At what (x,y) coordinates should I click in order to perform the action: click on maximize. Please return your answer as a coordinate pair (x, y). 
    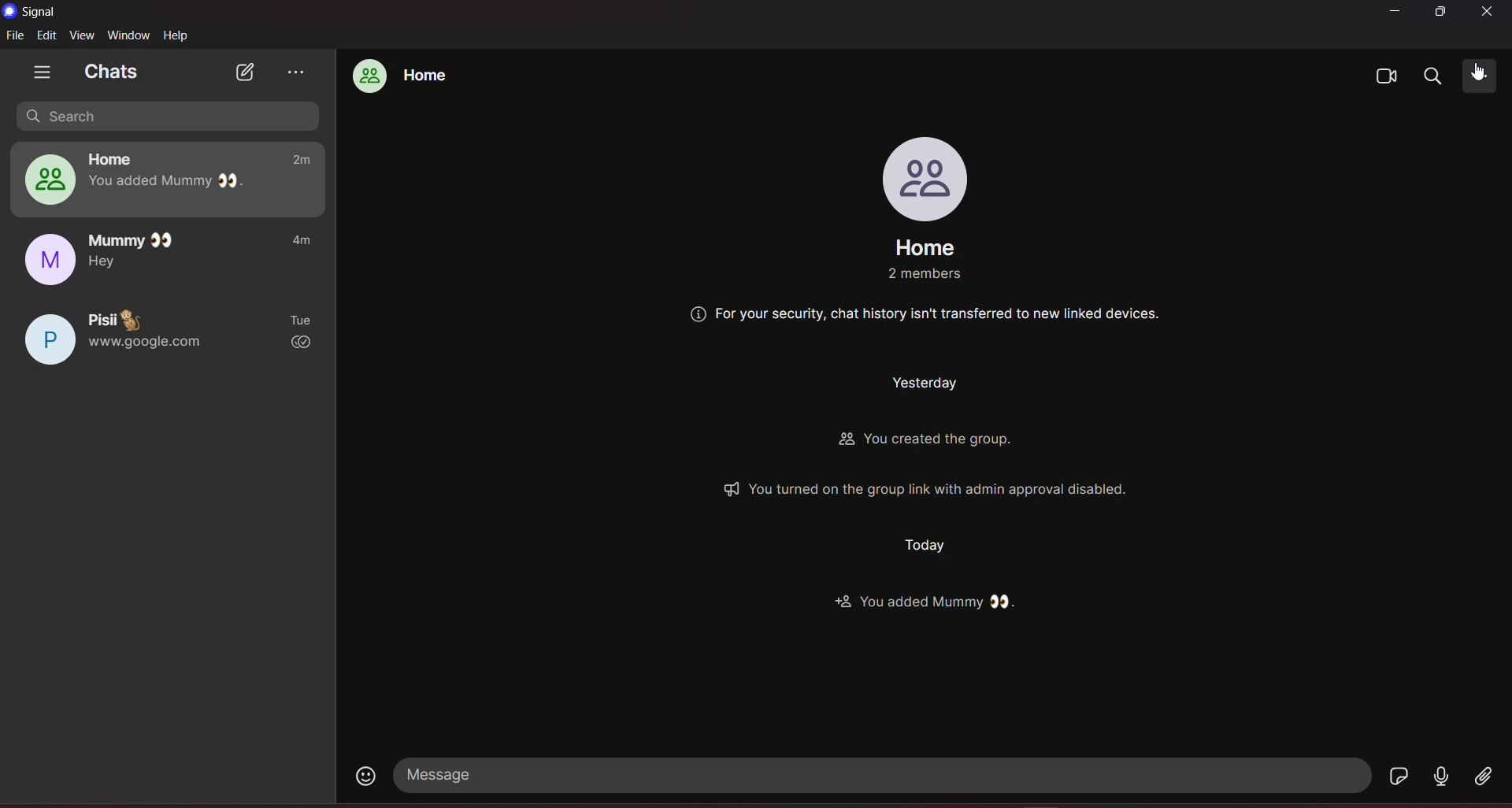
    Looking at the image, I should click on (1442, 14).